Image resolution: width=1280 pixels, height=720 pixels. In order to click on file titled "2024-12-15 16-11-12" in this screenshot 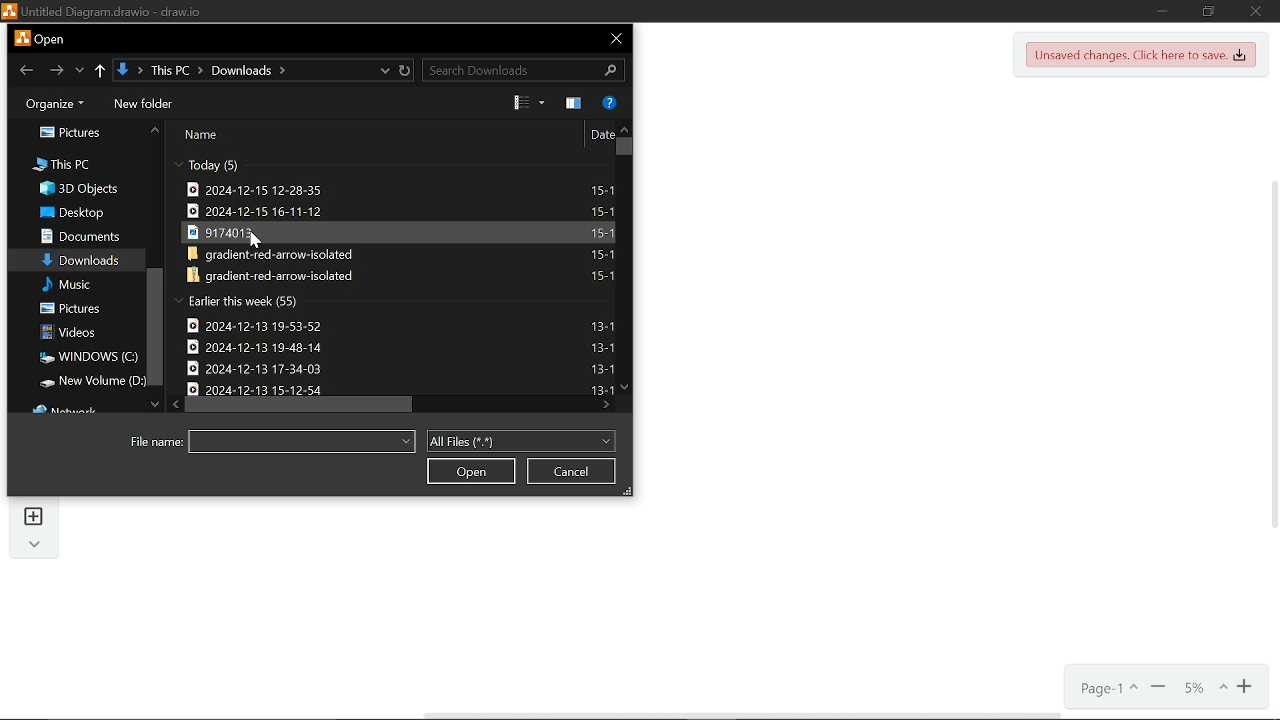, I will do `click(404, 210)`.